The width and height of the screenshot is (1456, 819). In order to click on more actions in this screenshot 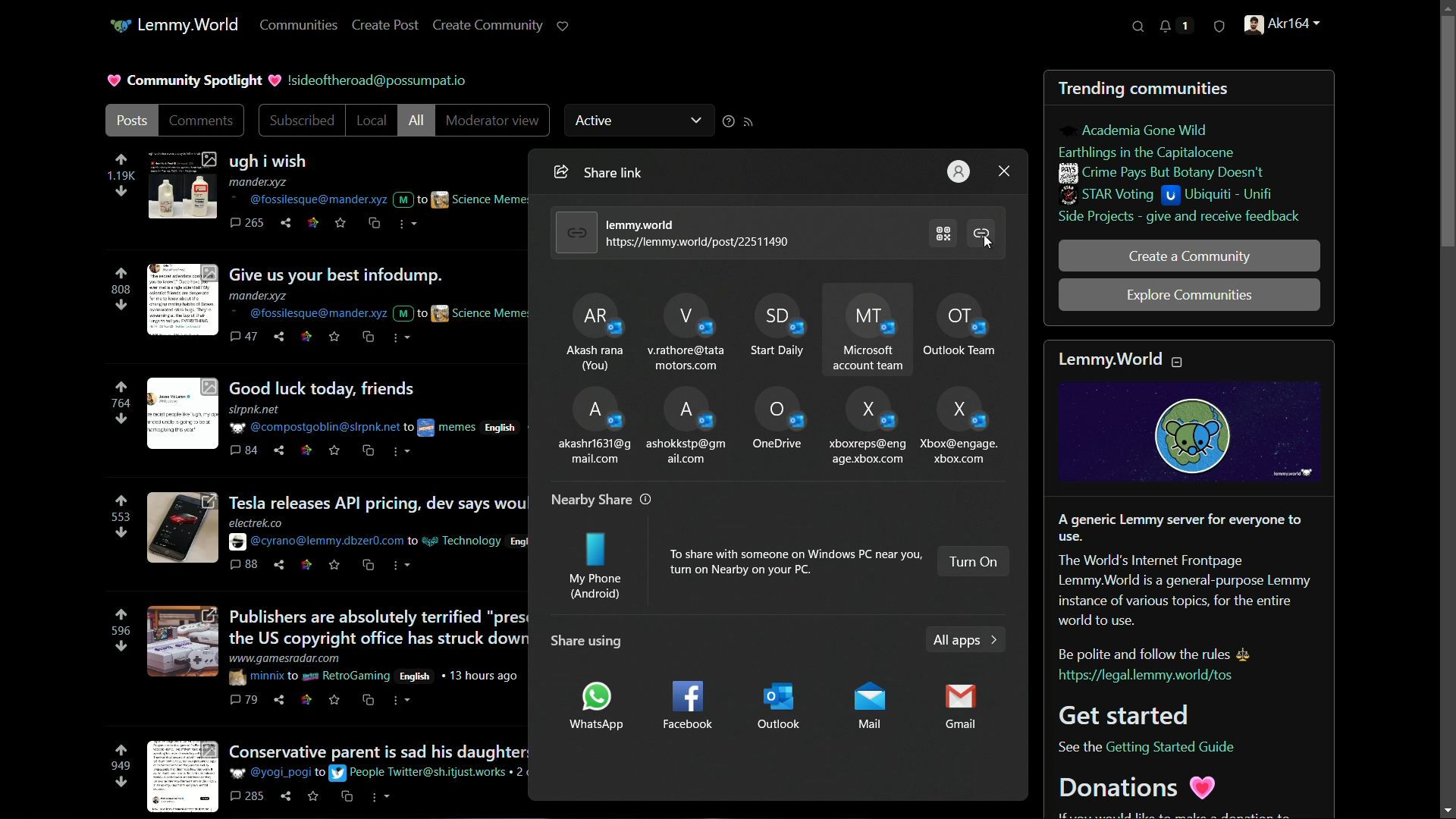, I will do `click(405, 225)`.